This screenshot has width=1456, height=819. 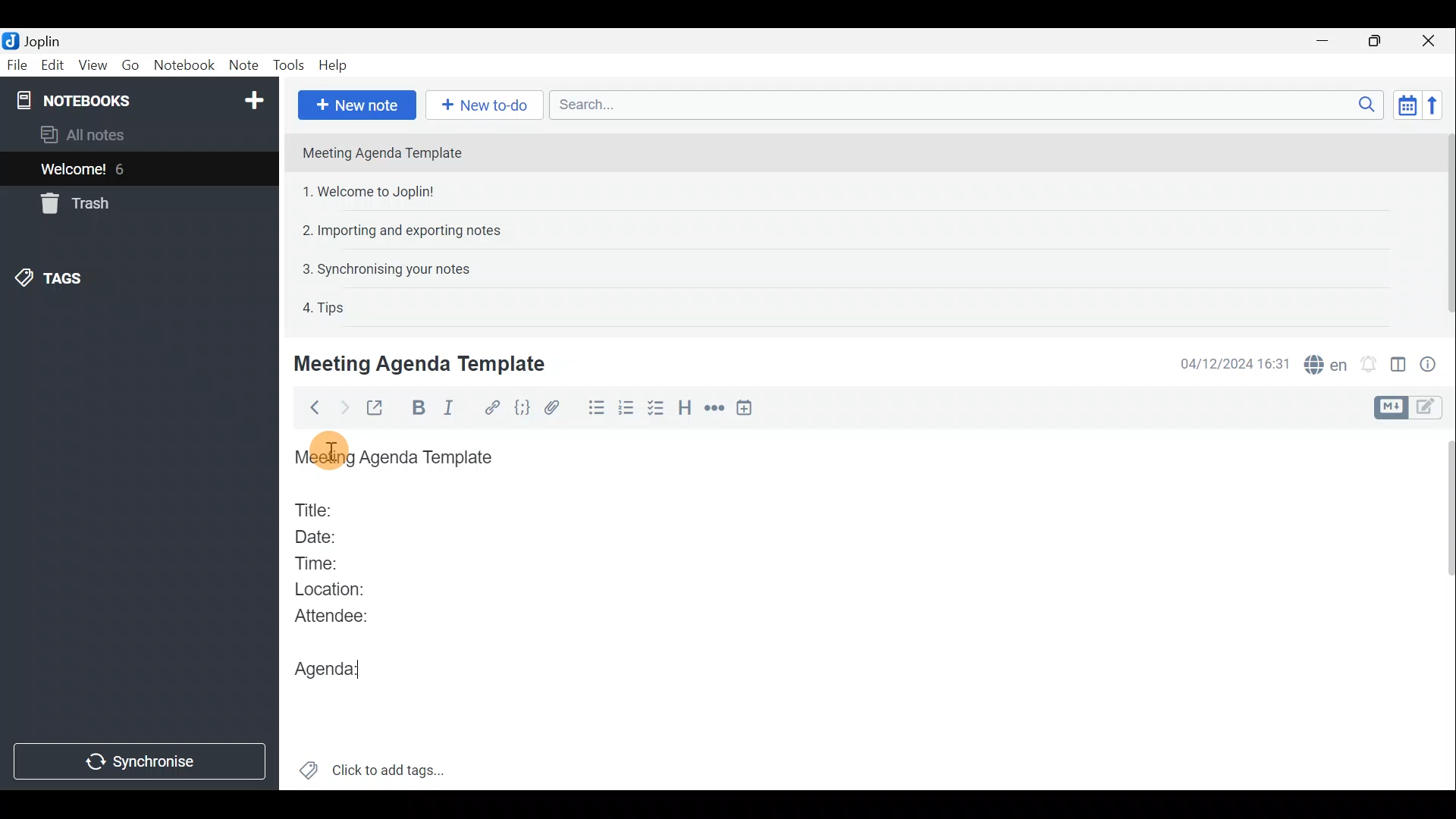 What do you see at coordinates (522, 409) in the screenshot?
I see `Code` at bounding box center [522, 409].